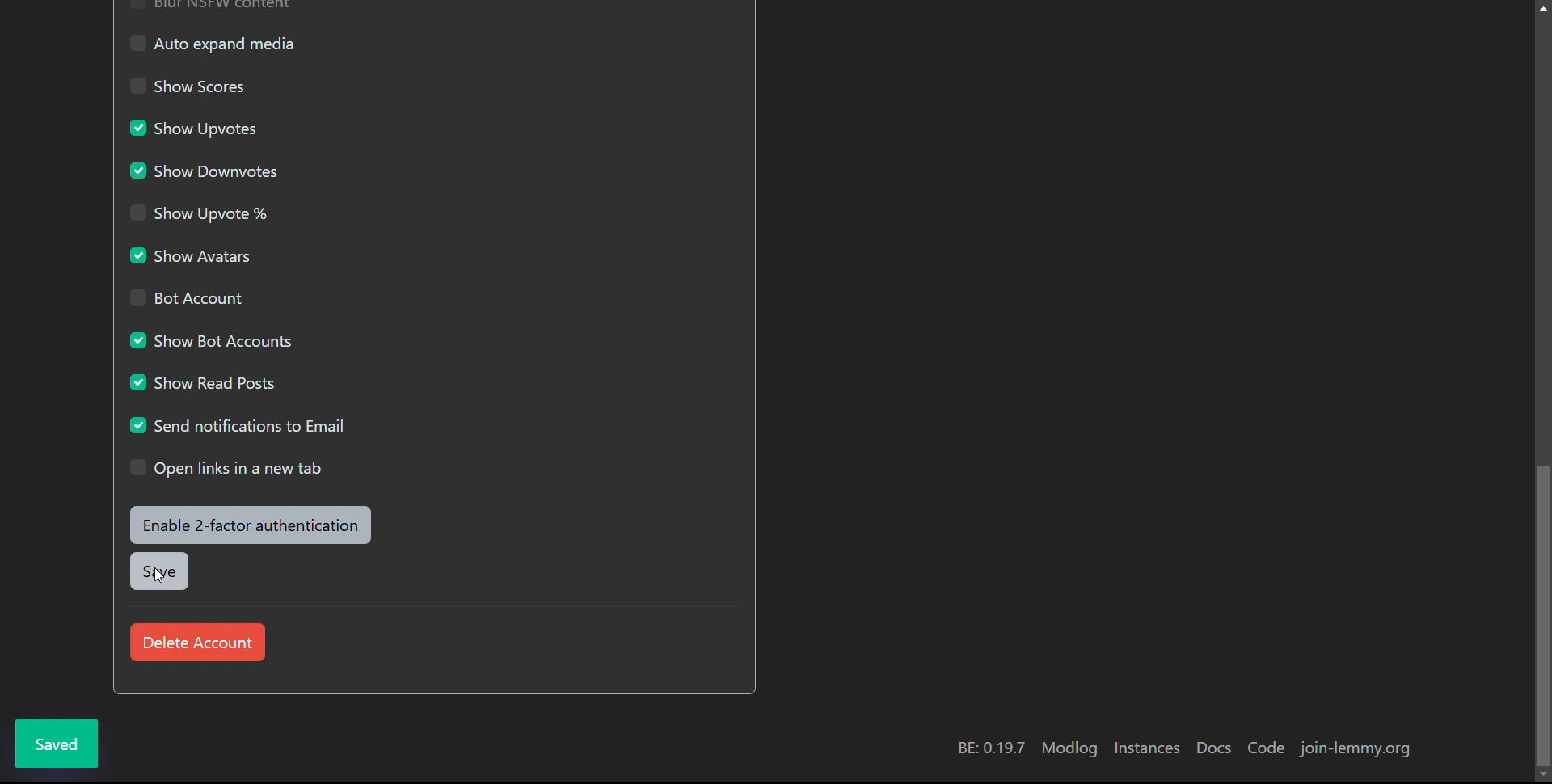 The image size is (1552, 784). What do you see at coordinates (209, 339) in the screenshot?
I see `show bot accounts` at bounding box center [209, 339].